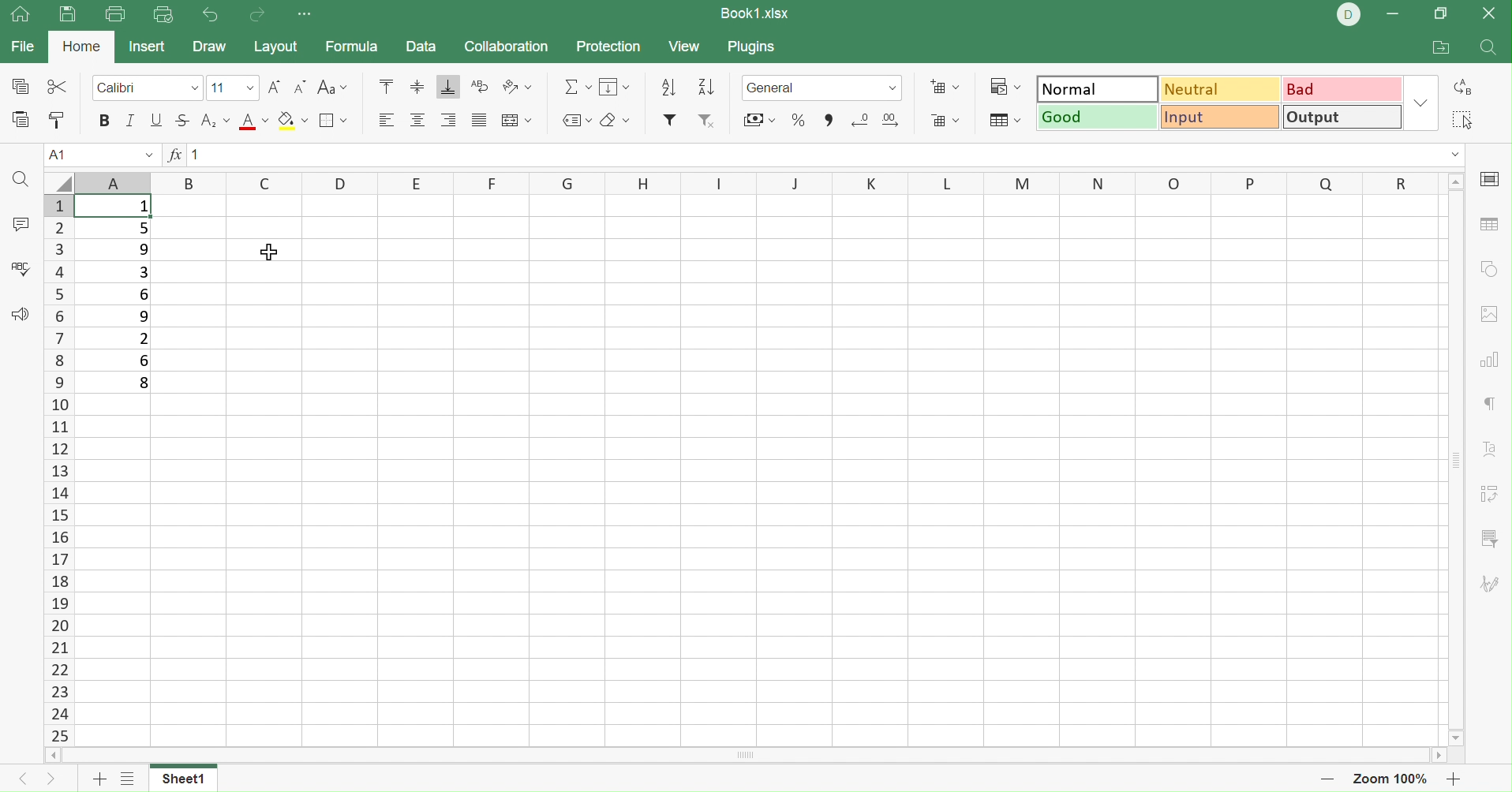 The width and height of the screenshot is (1512, 792). What do you see at coordinates (68, 17) in the screenshot?
I see `Save` at bounding box center [68, 17].